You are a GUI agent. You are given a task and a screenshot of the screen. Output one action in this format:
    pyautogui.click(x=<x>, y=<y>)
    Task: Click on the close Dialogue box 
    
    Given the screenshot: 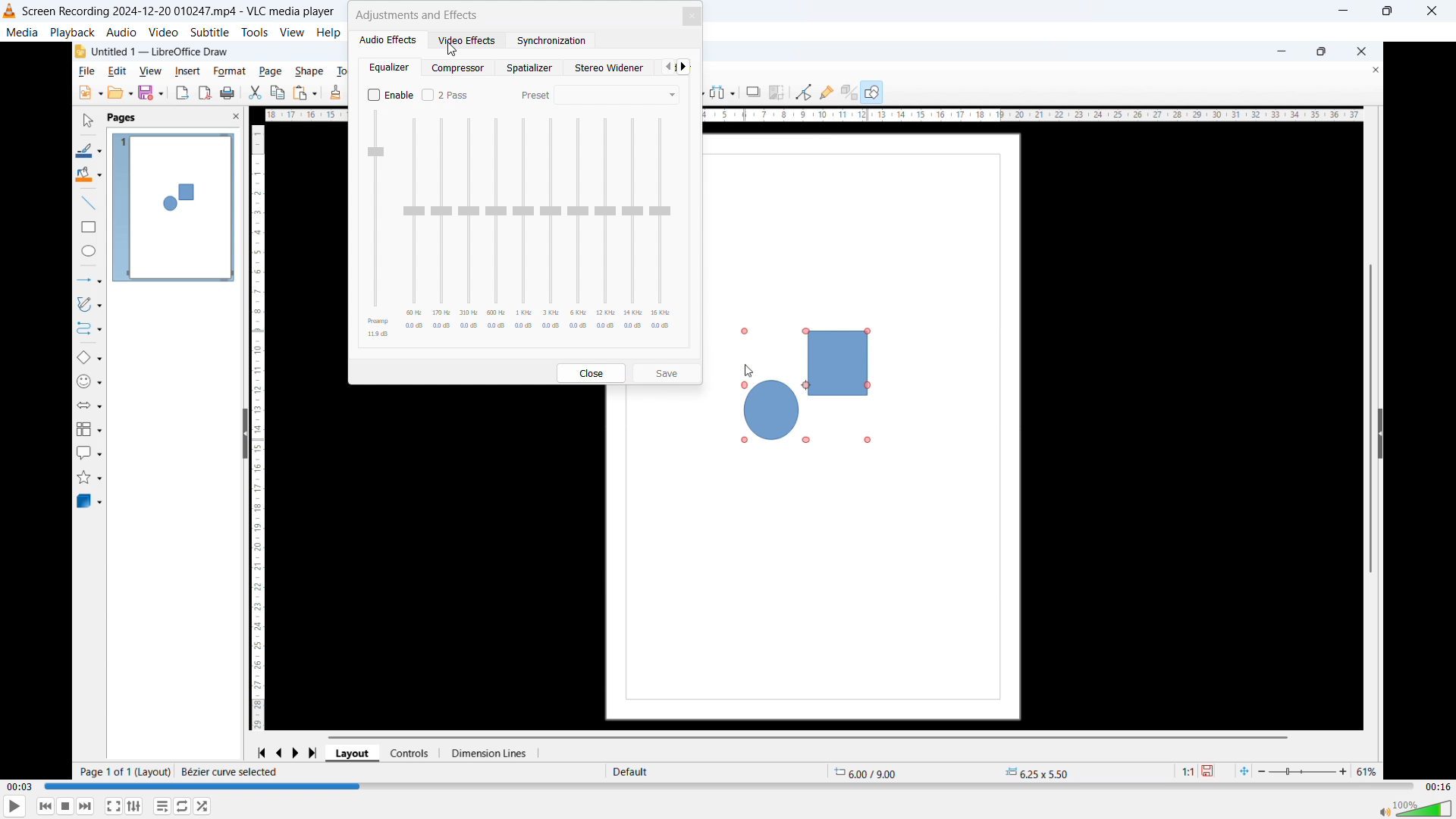 What is the action you would take?
    pyautogui.click(x=693, y=17)
    